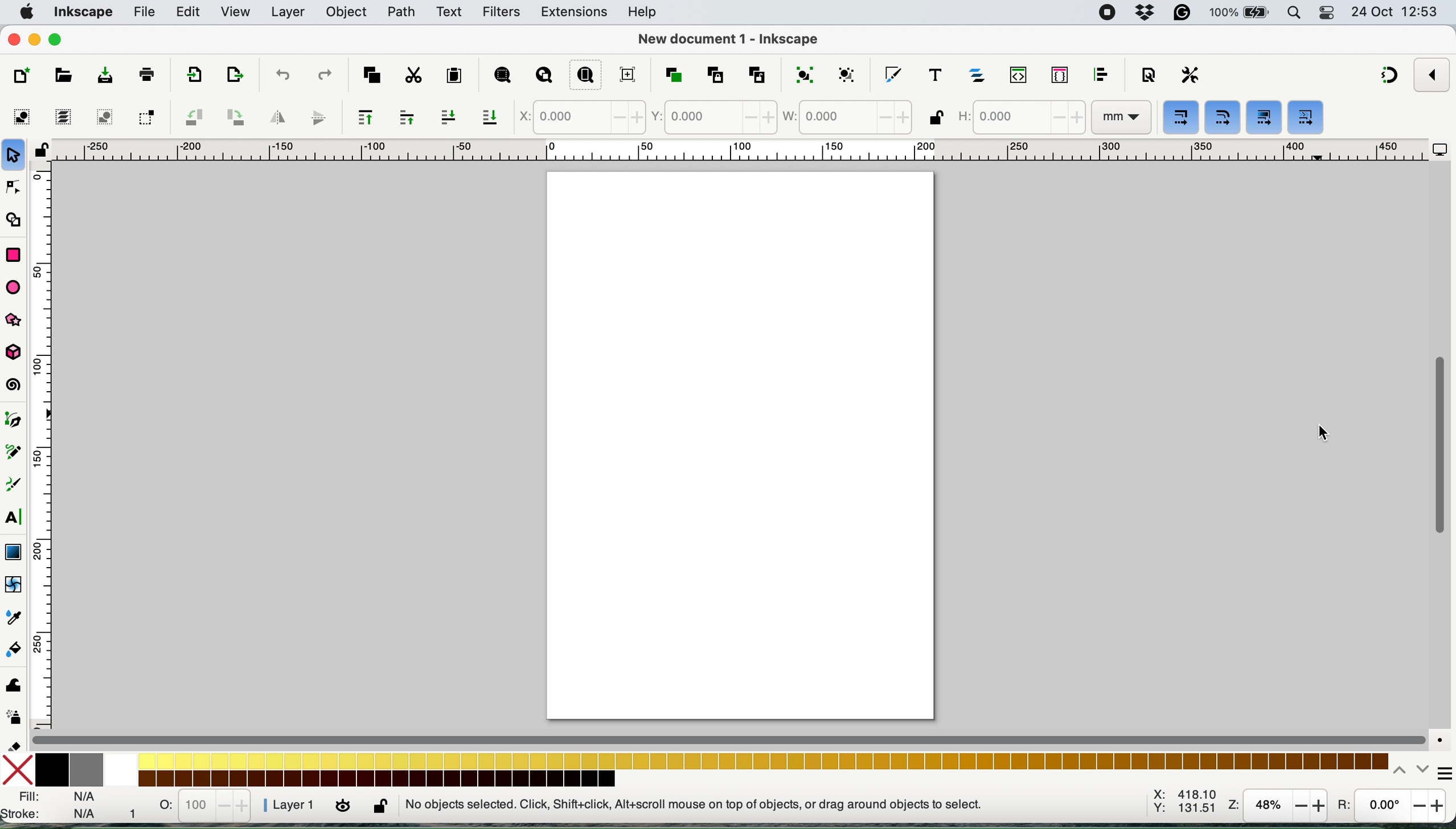 This screenshot has width=1456, height=829. What do you see at coordinates (403, 15) in the screenshot?
I see `path` at bounding box center [403, 15].